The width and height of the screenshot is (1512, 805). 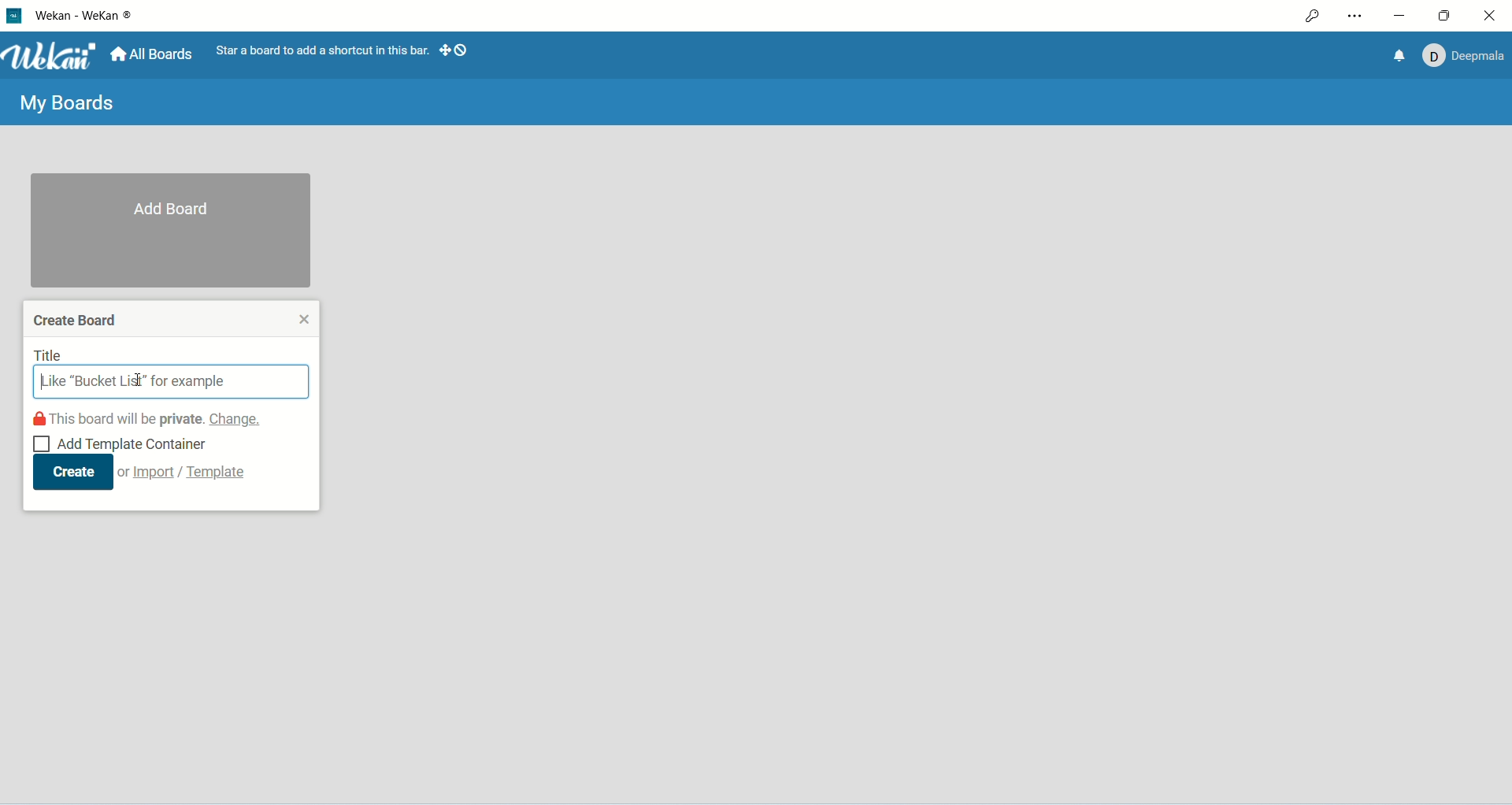 What do you see at coordinates (1460, 57) in the screenshot?
I see `Account: Deepmala` at bounding box center [1460, 57].